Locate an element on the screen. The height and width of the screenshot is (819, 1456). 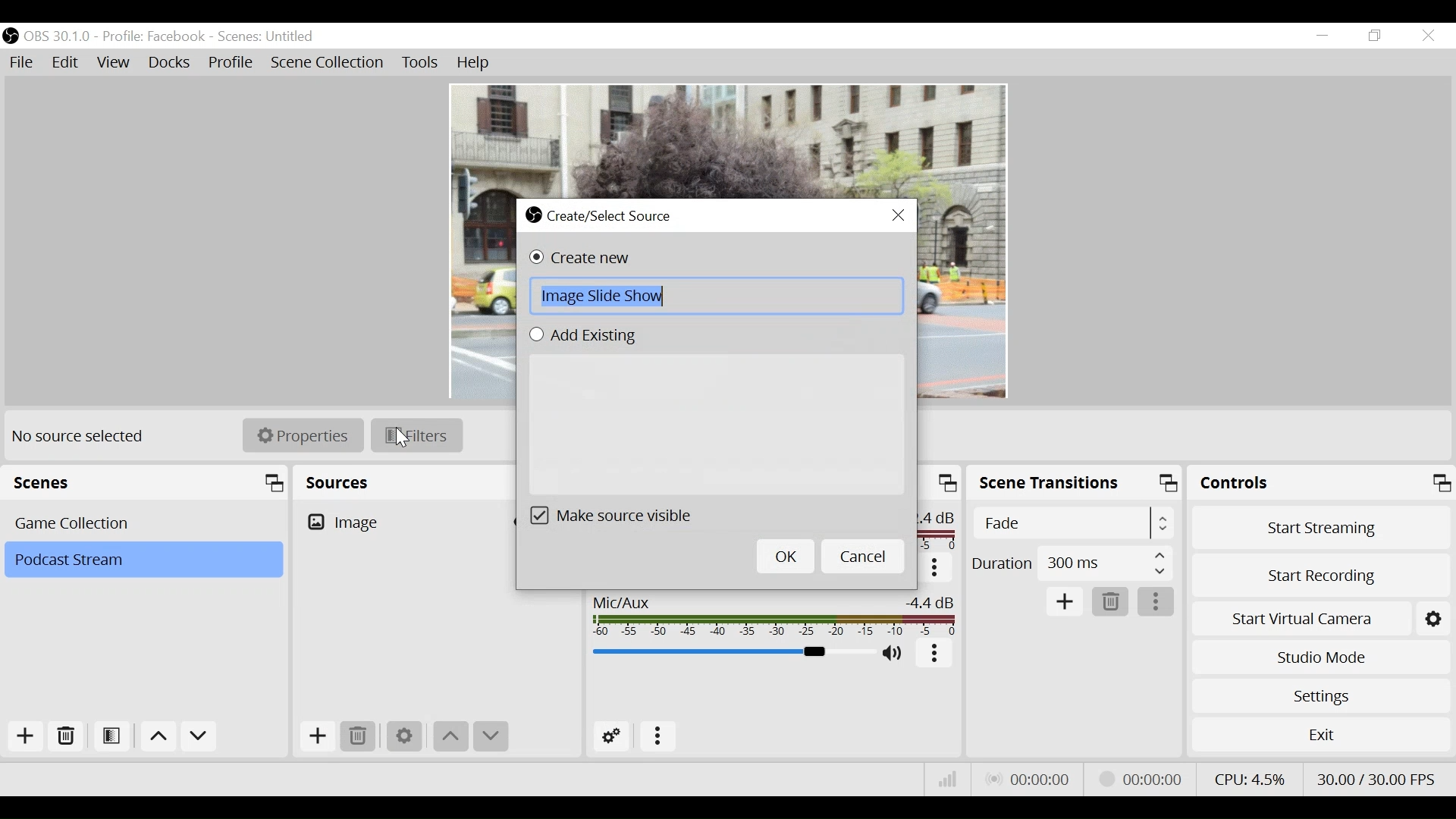
Edit is located at coordinates (67, 63).